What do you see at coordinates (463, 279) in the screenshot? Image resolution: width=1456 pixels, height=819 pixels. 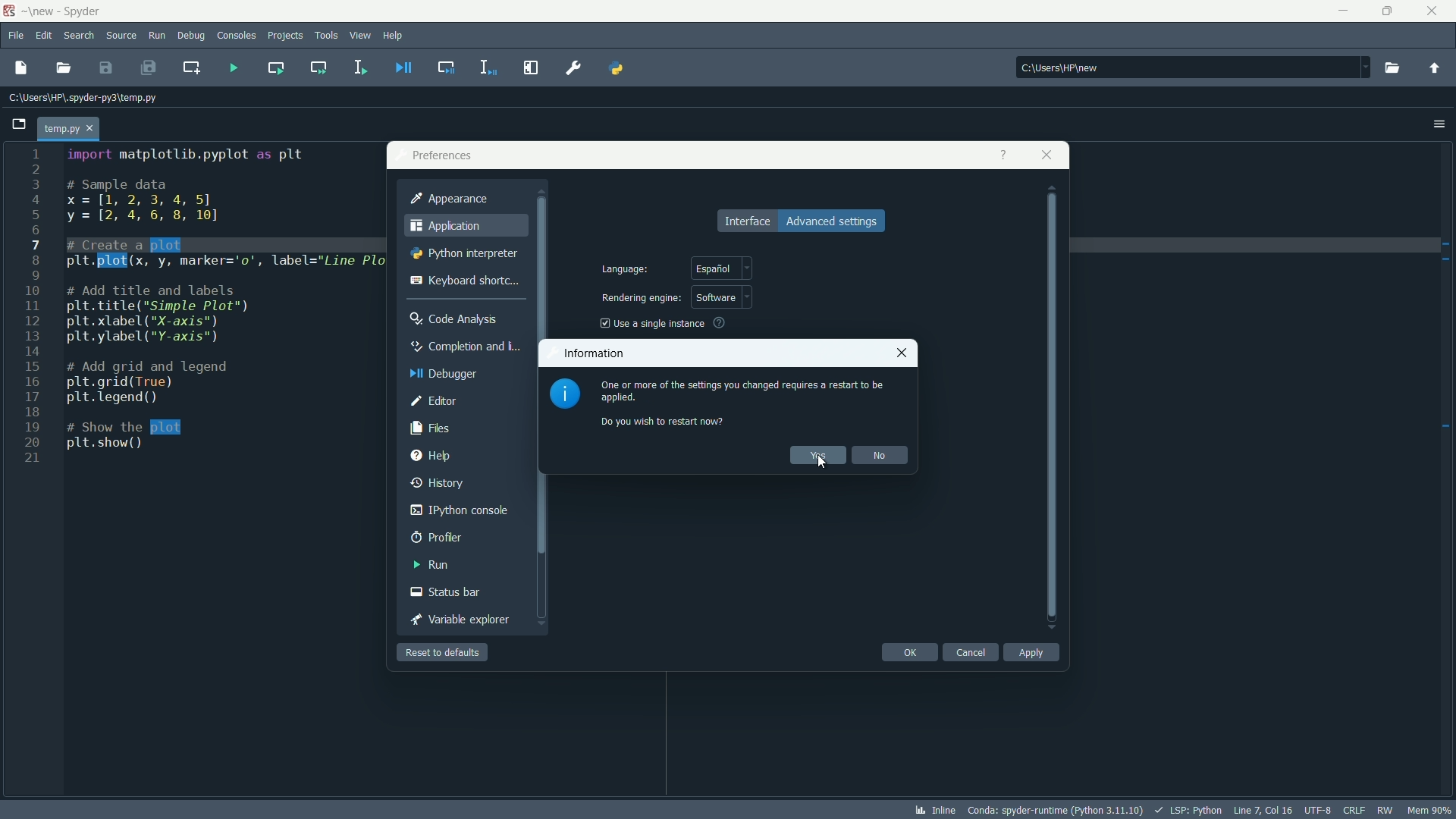 I see `keyboard shortcut` at bounding box center [463, 279].